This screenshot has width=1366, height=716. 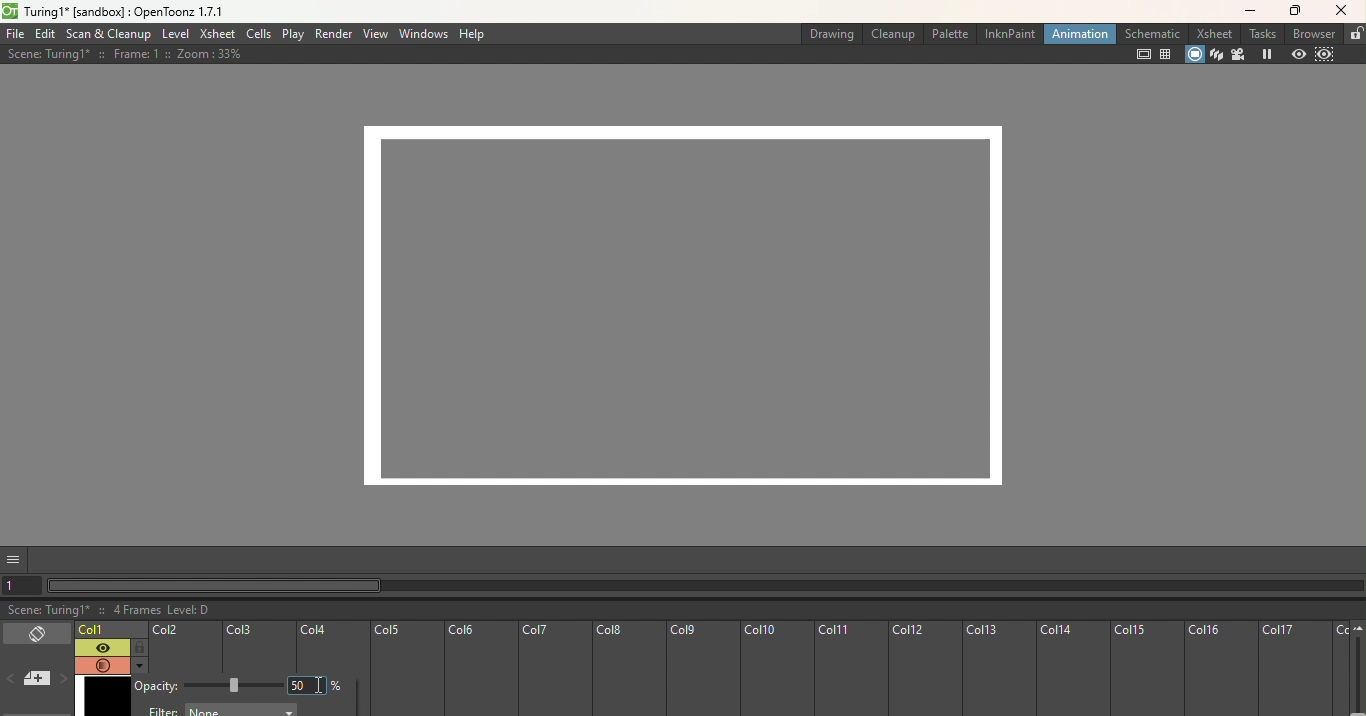 I want to click on Horizontal scroll bar, so click(x=706, y=587).